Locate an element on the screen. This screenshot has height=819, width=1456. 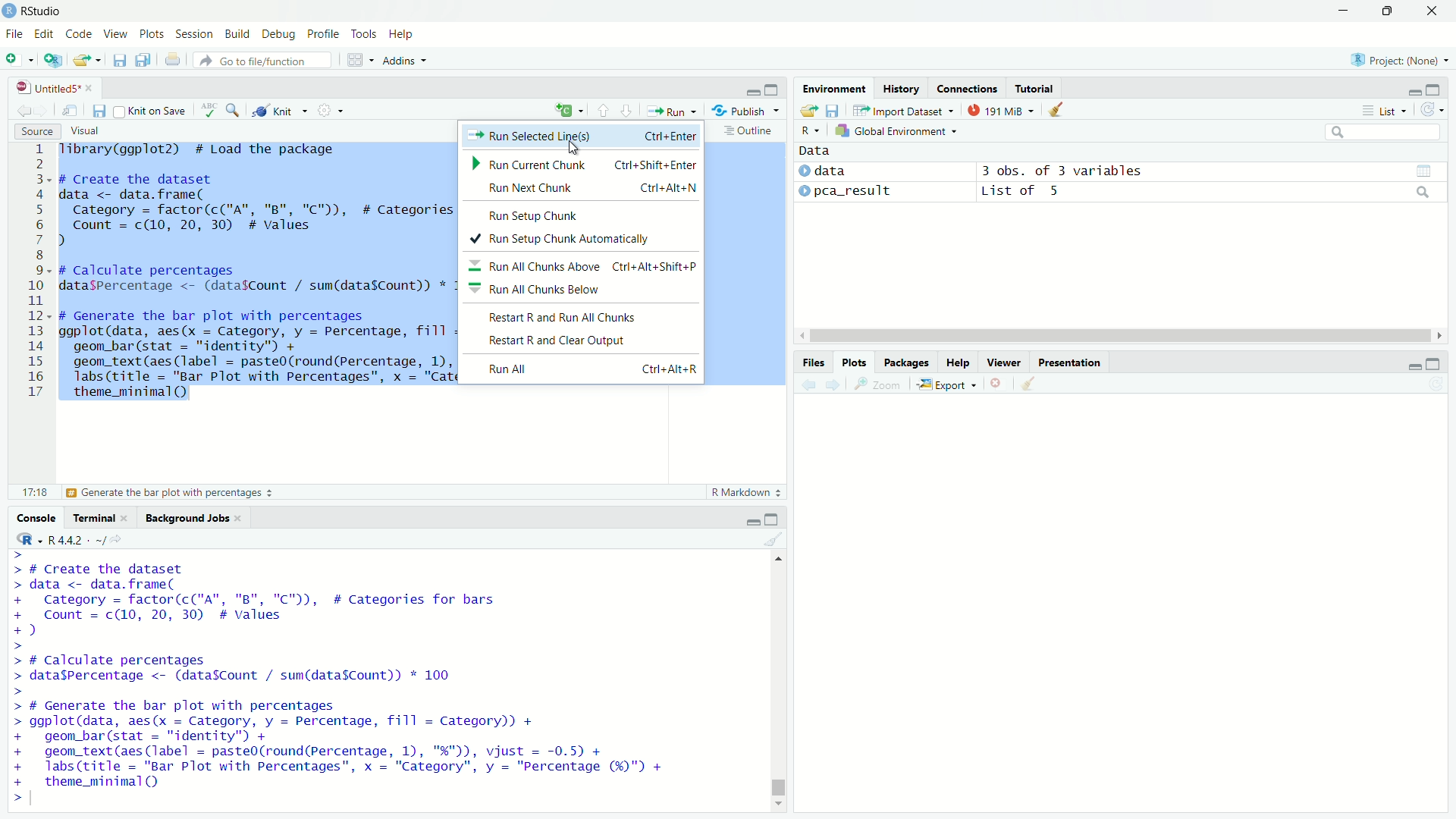
packages is located at coordinates (908, 362).